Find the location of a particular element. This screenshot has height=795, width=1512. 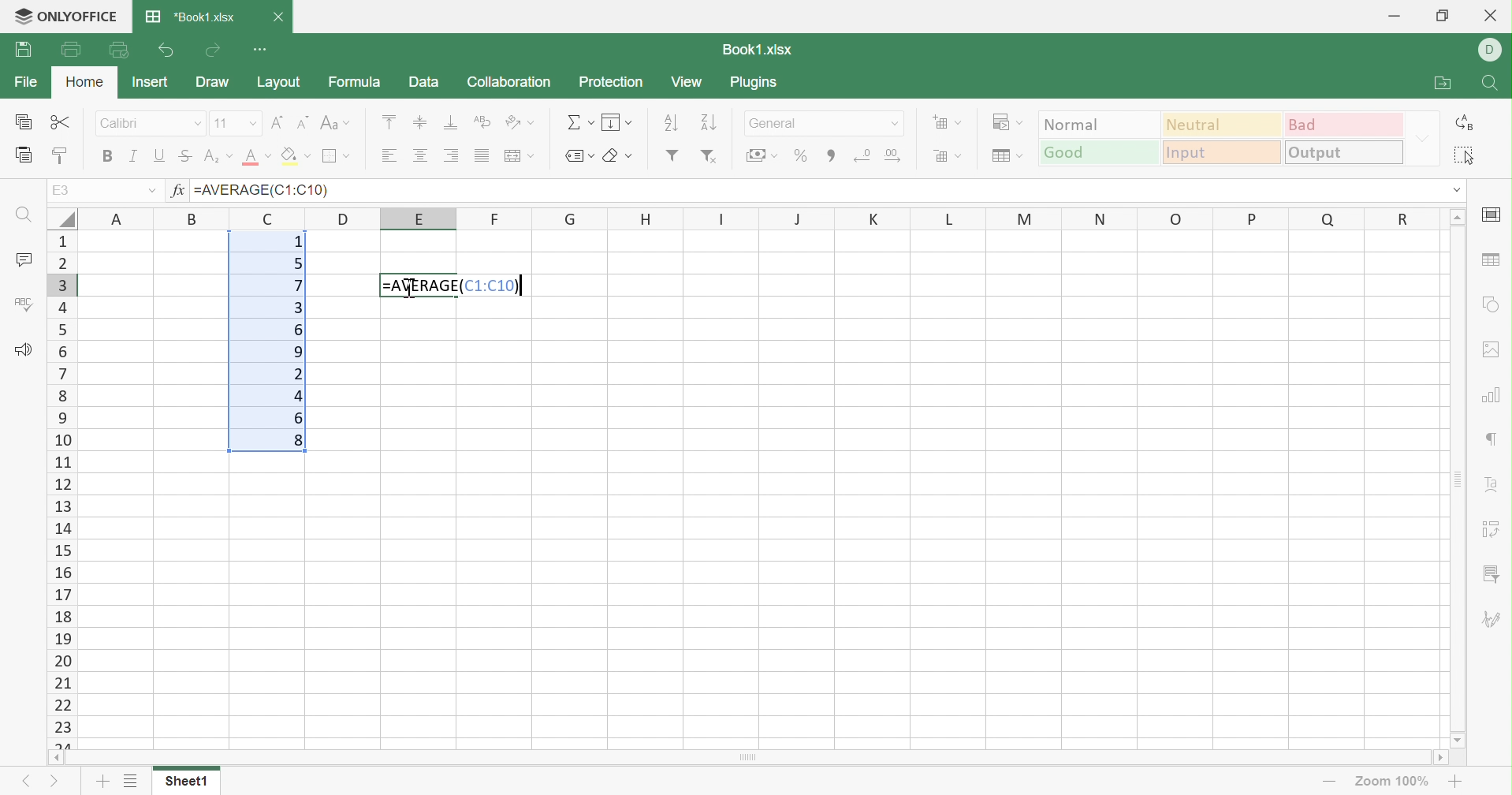

Align Center is located at coordinates (420, 155).